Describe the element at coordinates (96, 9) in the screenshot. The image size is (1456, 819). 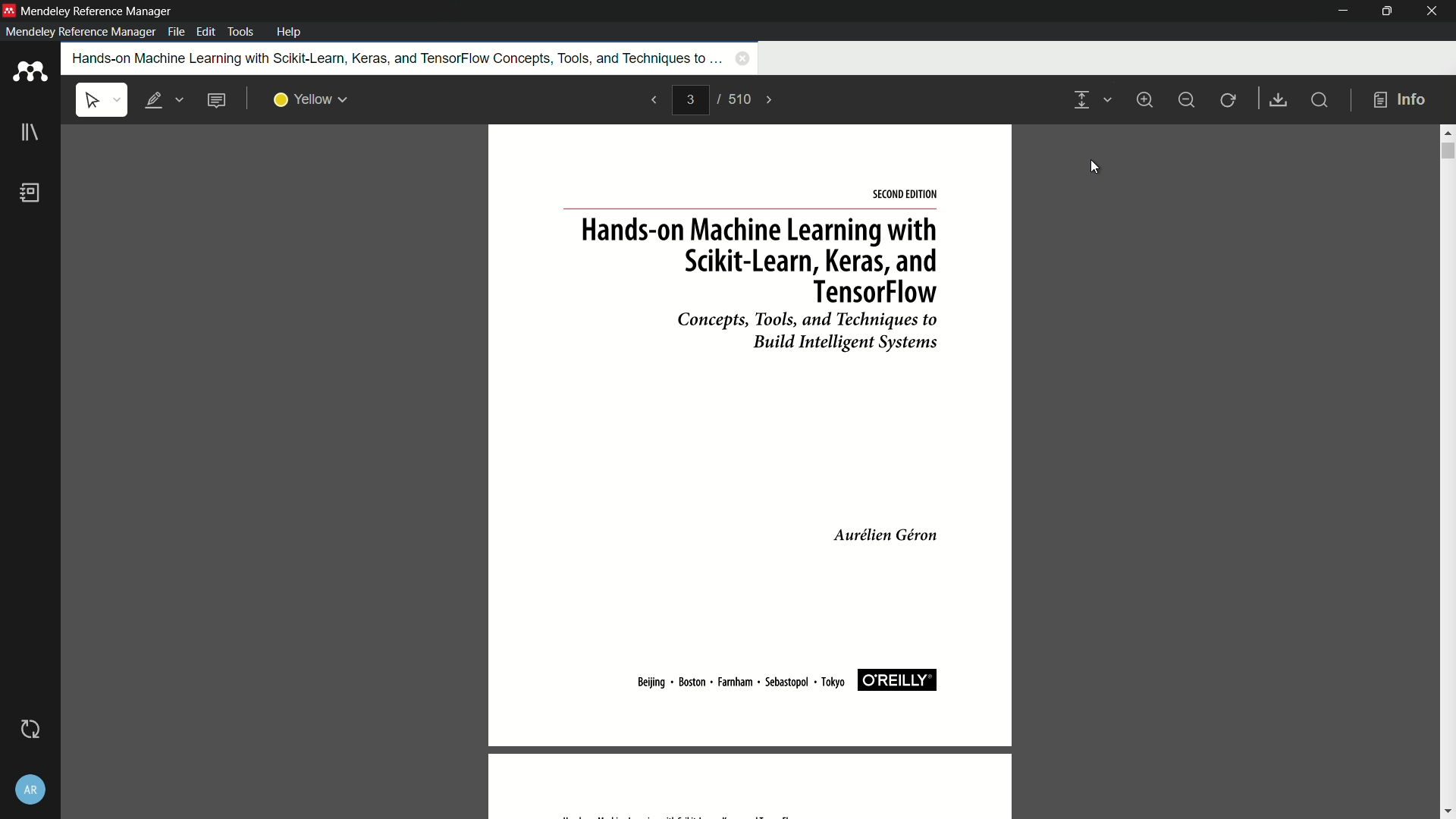
I see `app name` at that location.